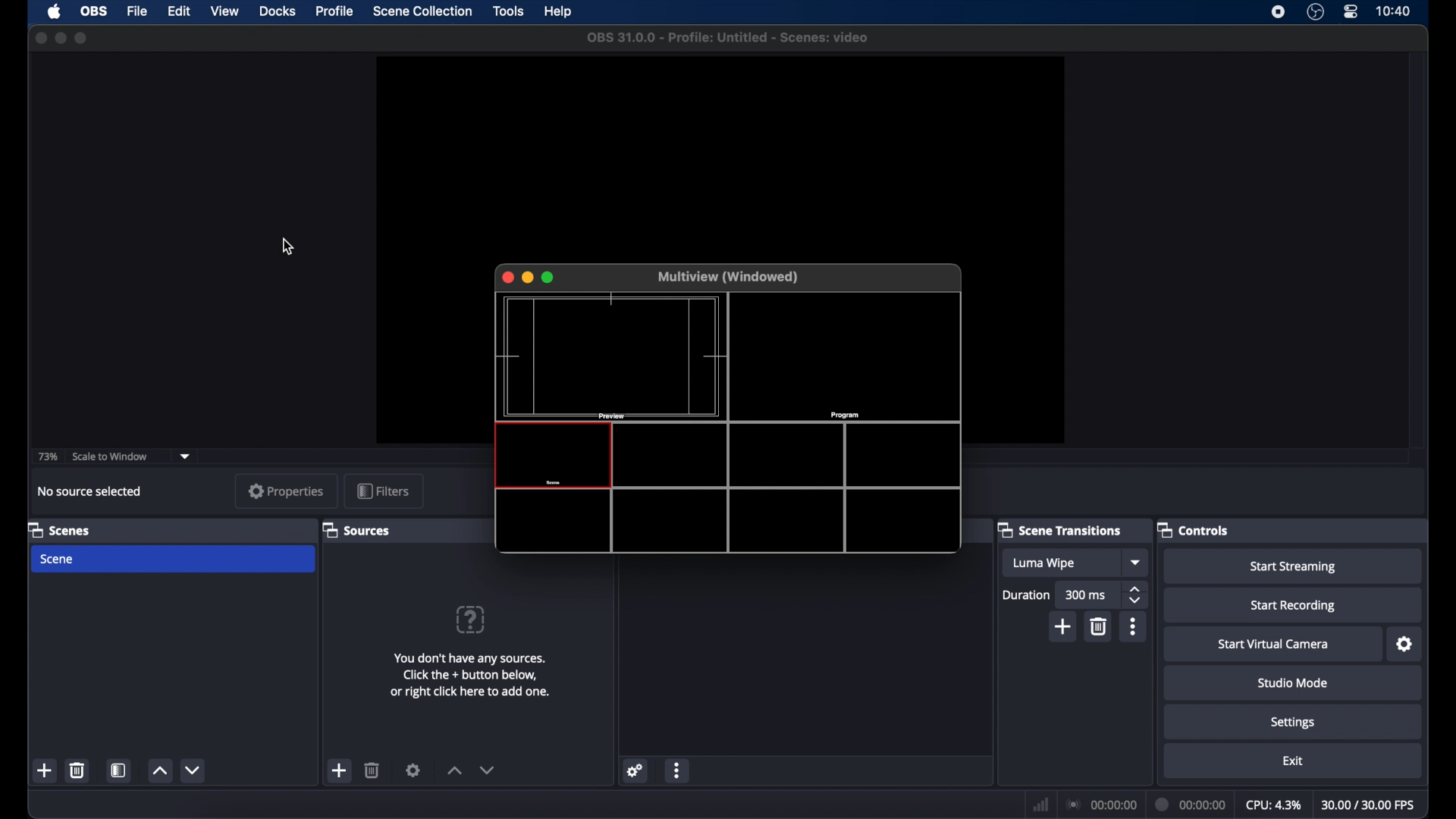 This screenshot has height=819, width=1456. I want to click on dropdown, so click(1136, 563).